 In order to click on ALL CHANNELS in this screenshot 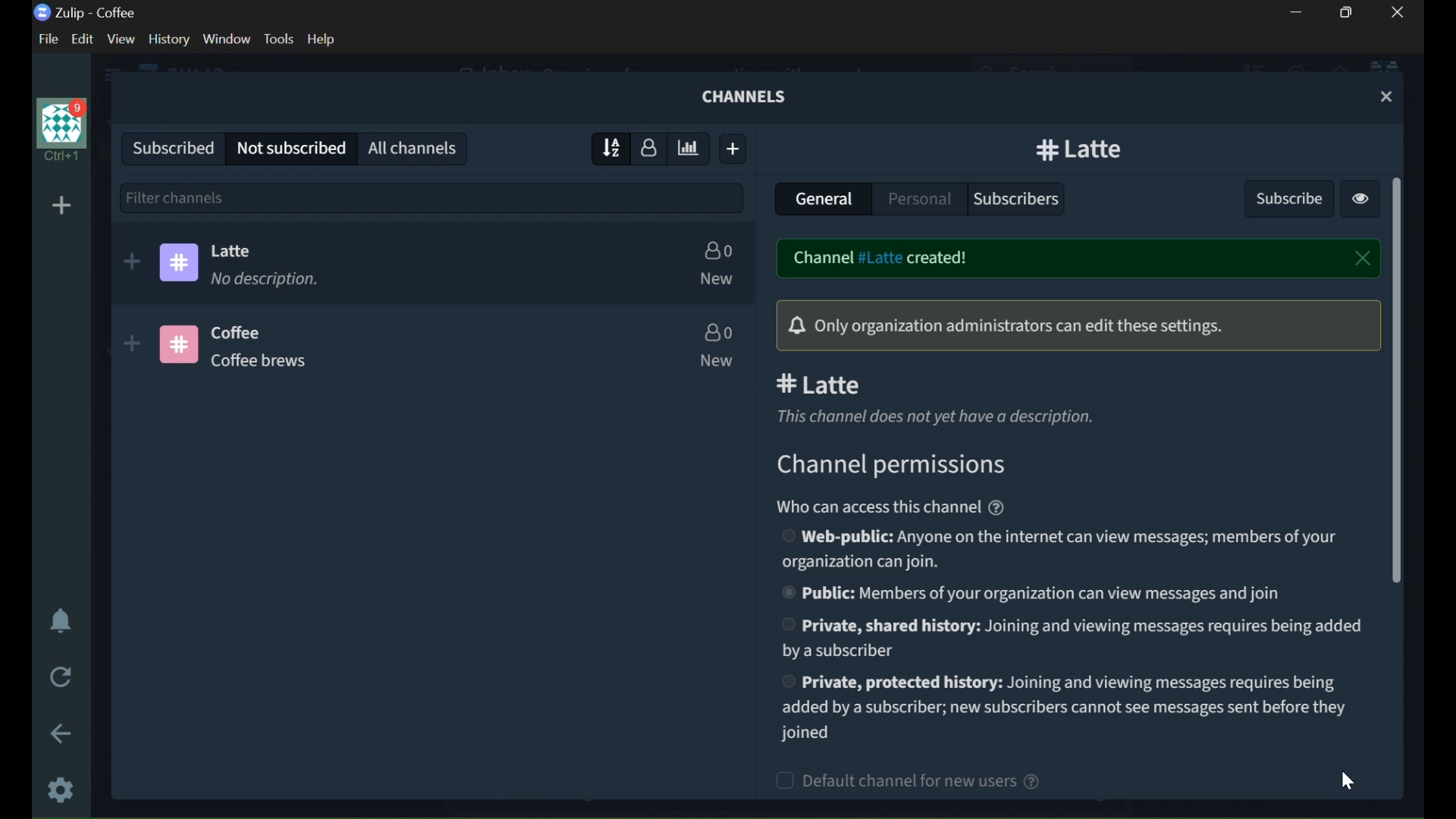, I will do `click(415, 147)`.